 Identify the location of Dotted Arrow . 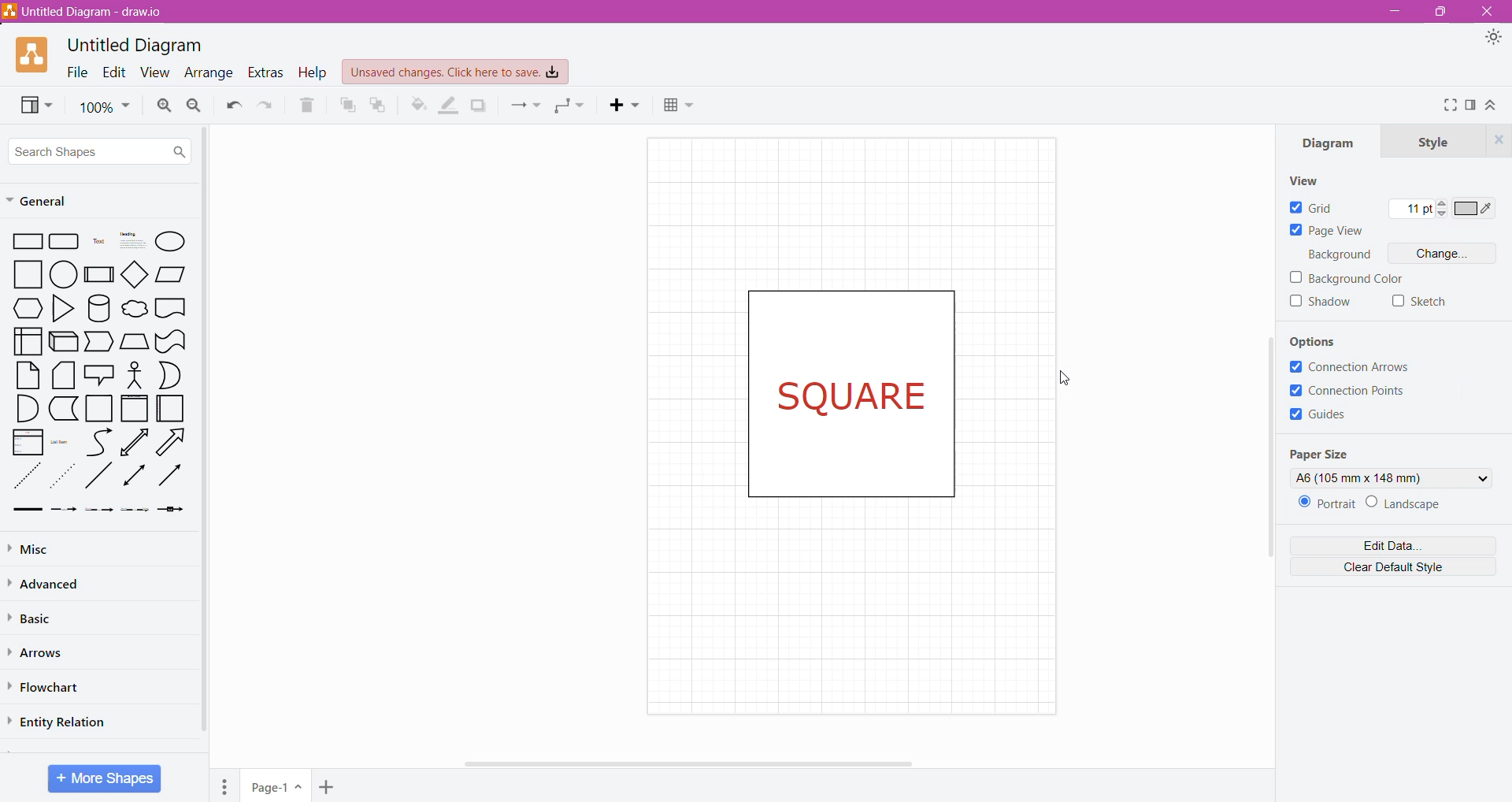
(62, 477).